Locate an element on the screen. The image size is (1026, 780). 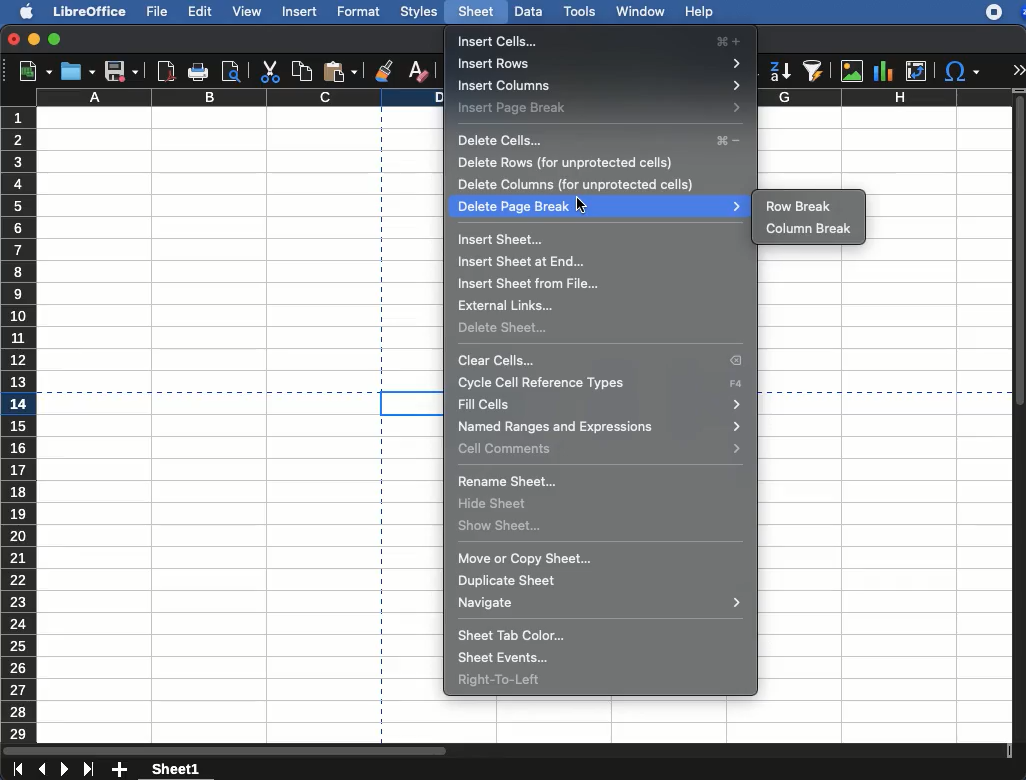
clear cells is located at coordinates (600, 362).